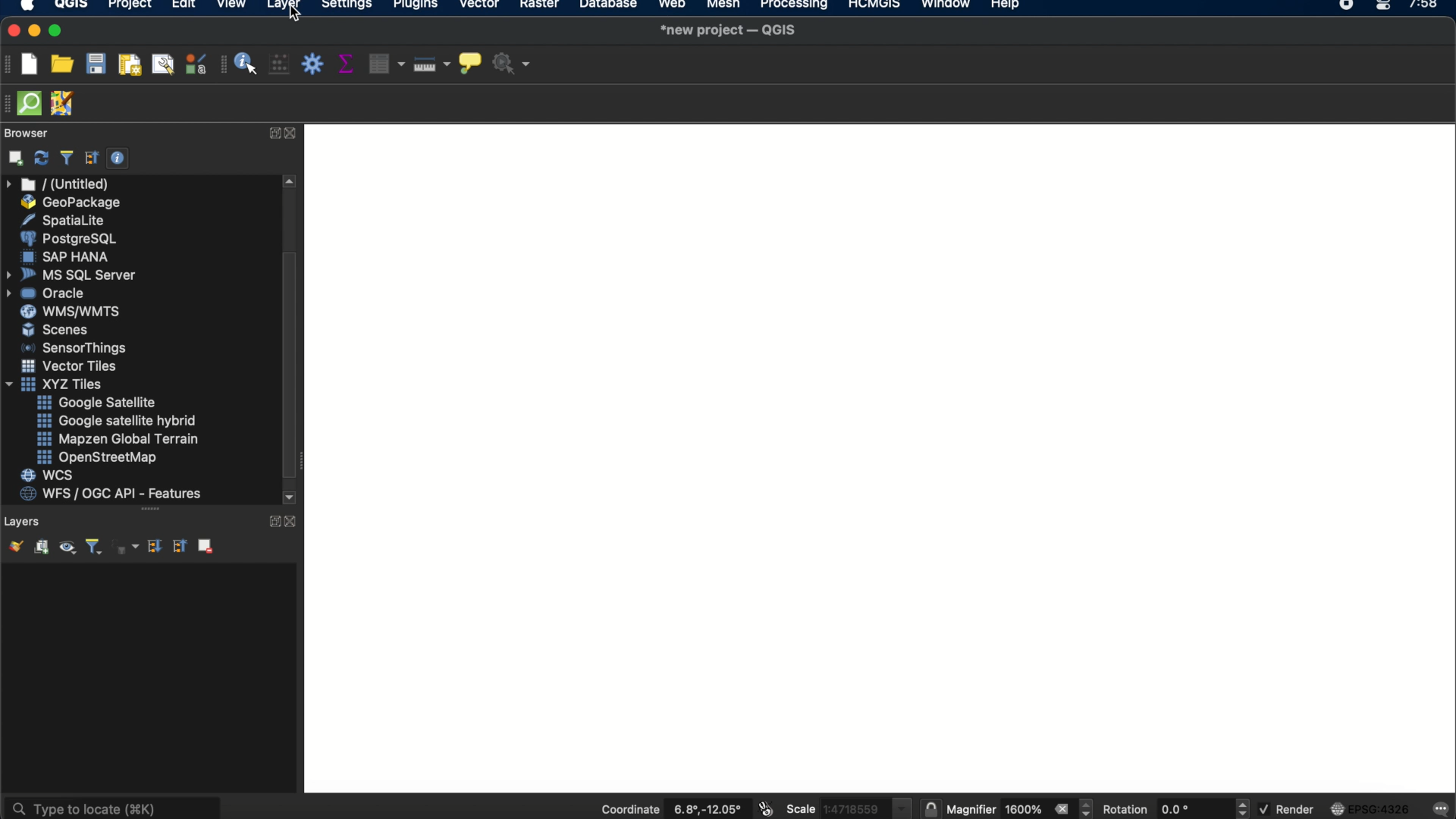 This screenshot has height=819, width=1456. Describe the element at coordinates (1382, 7) in the screenshot. I see `control center macOS` at that location.